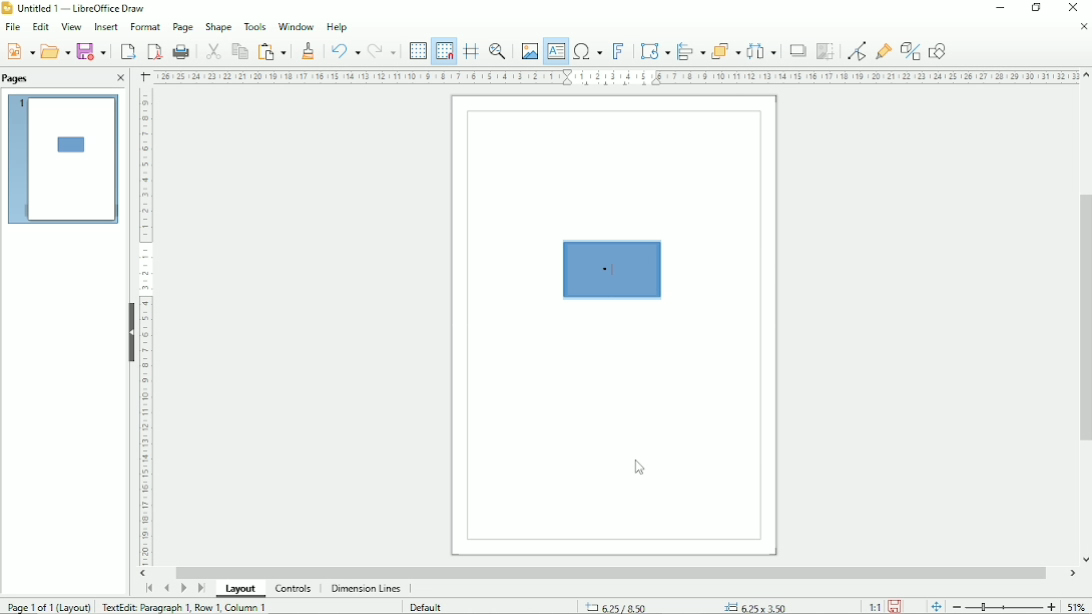  I want to click on Copy, so click(238, 50).